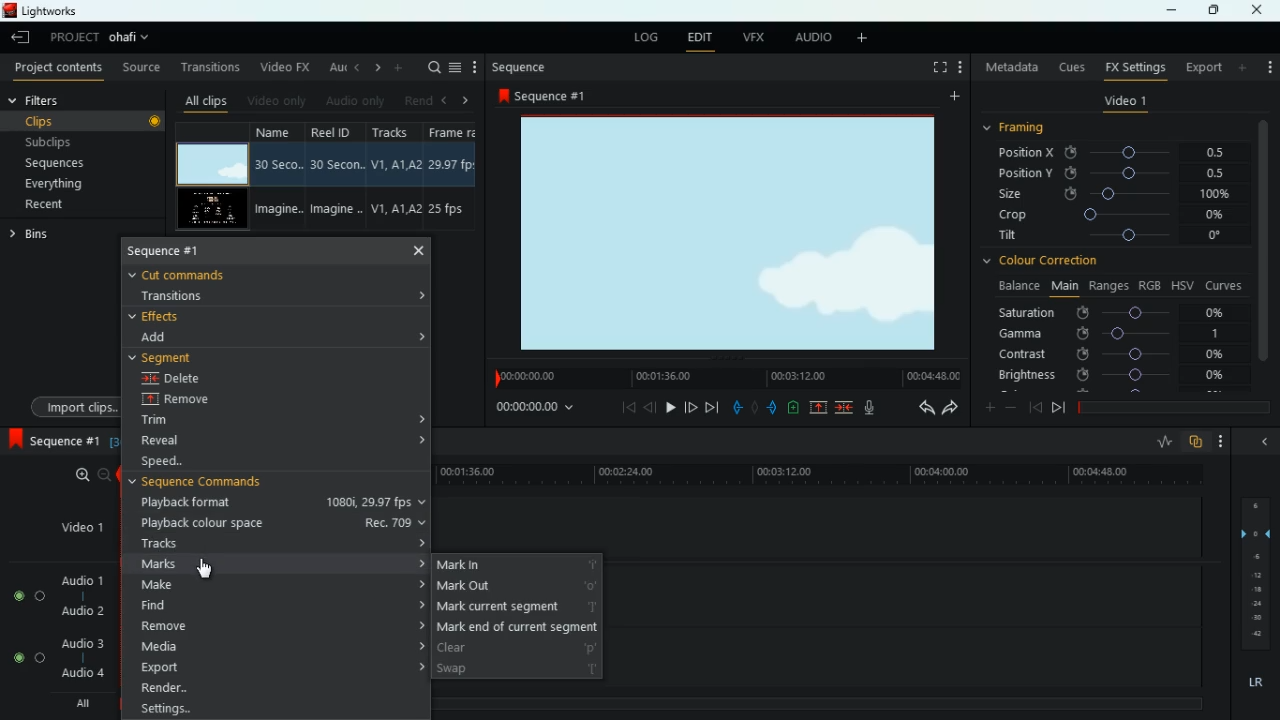 The width and height of the screenshot is (1280, 720). Describe the element at coordinates (283, 67) in the screenshot. I see `video fx` at that location.